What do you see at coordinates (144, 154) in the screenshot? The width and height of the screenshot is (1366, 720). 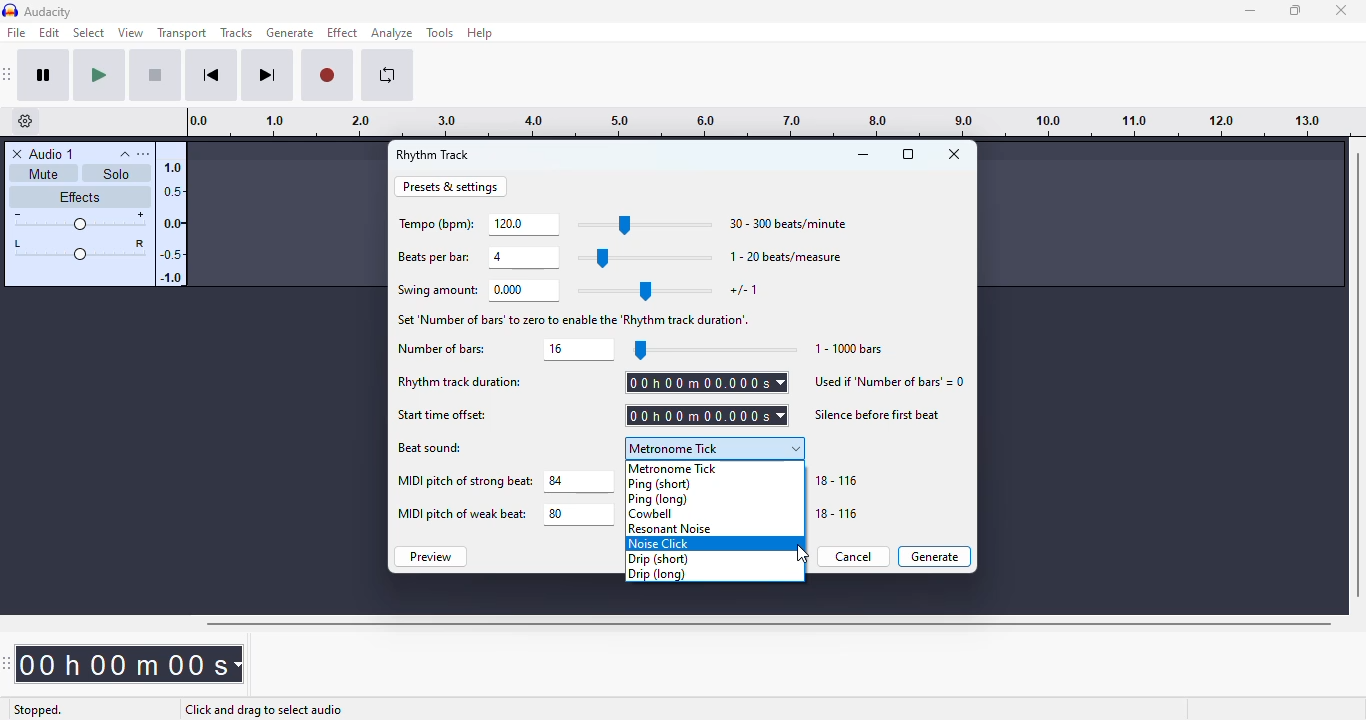 I see `open menu` at bounding box center [144, 154].